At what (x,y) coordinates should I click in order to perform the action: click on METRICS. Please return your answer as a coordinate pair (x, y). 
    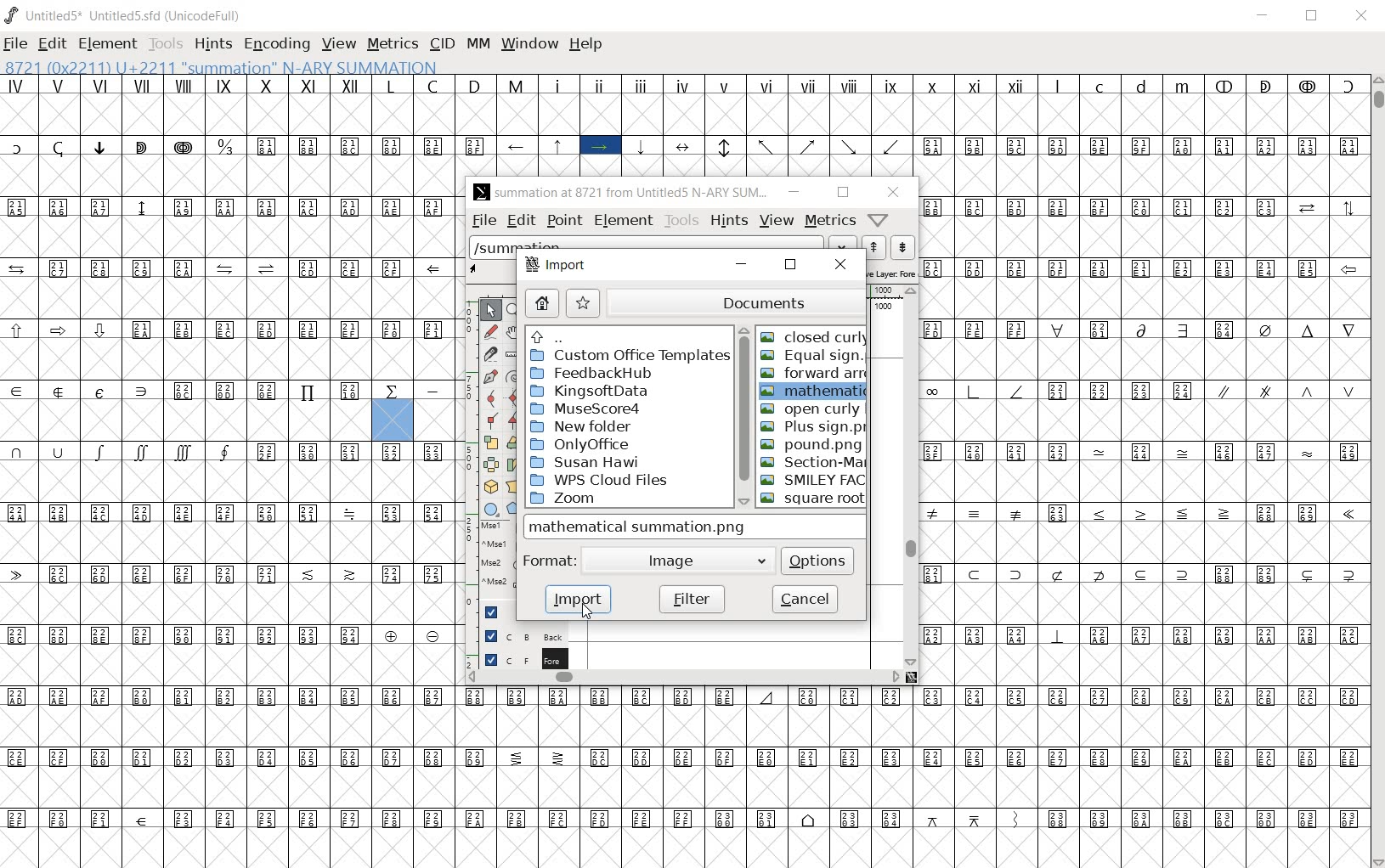
    Looking at the image, I should click on (392, 43).